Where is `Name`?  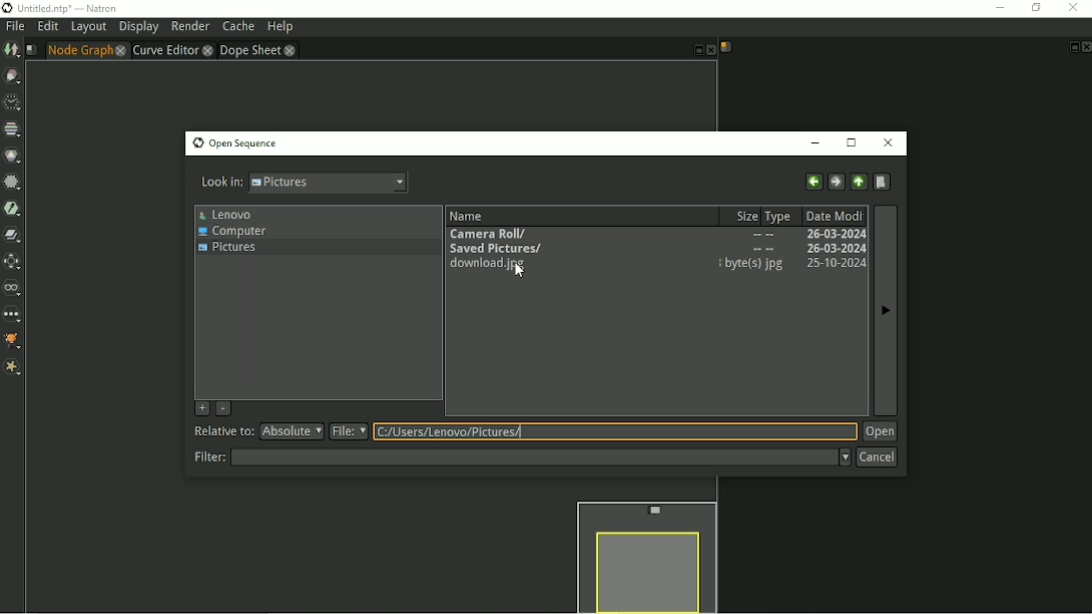
Name is located at coordinates (508, 215).